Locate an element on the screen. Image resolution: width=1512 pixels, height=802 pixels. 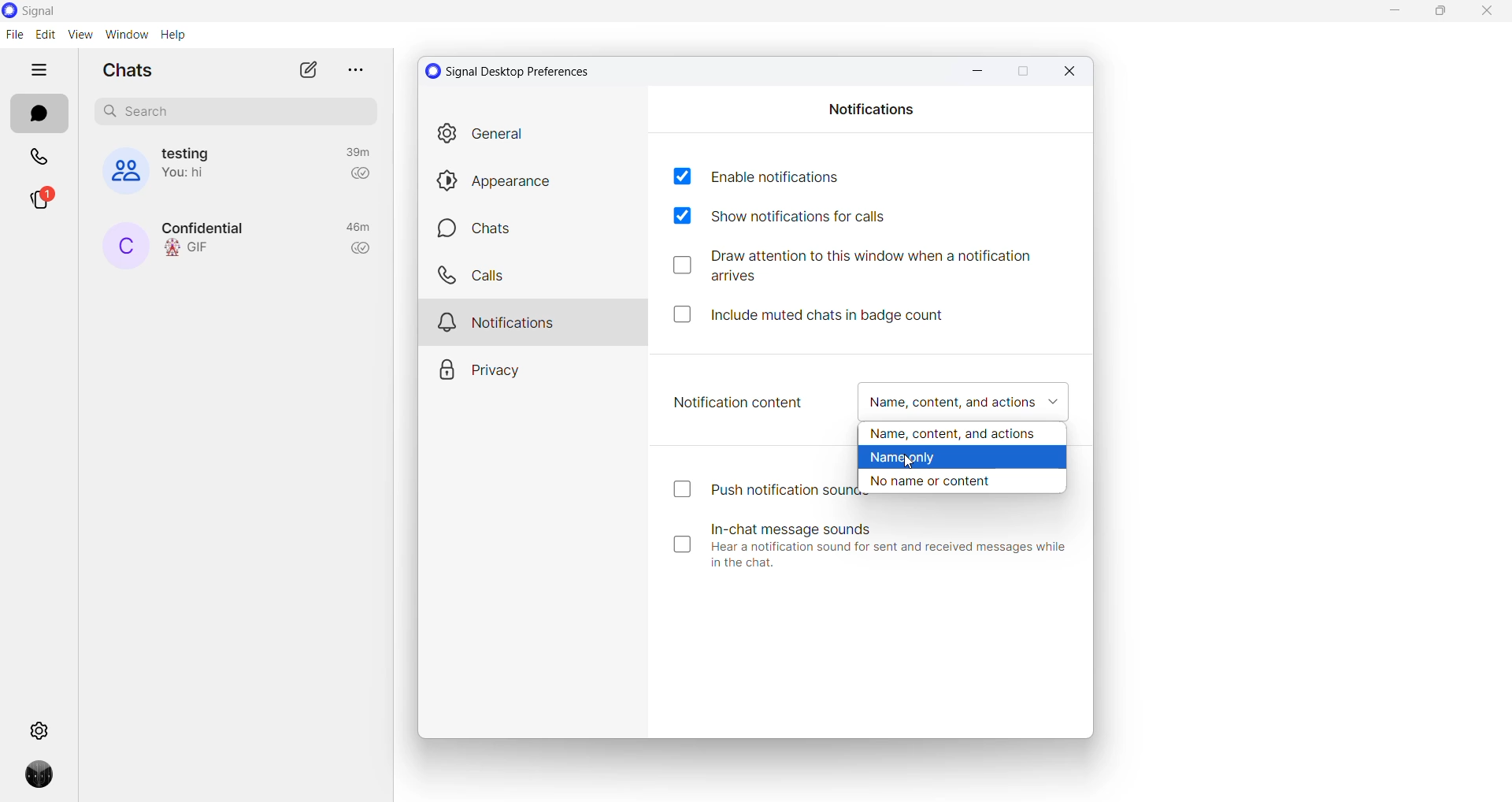
Maximize is located at coordinates (1022, 72).